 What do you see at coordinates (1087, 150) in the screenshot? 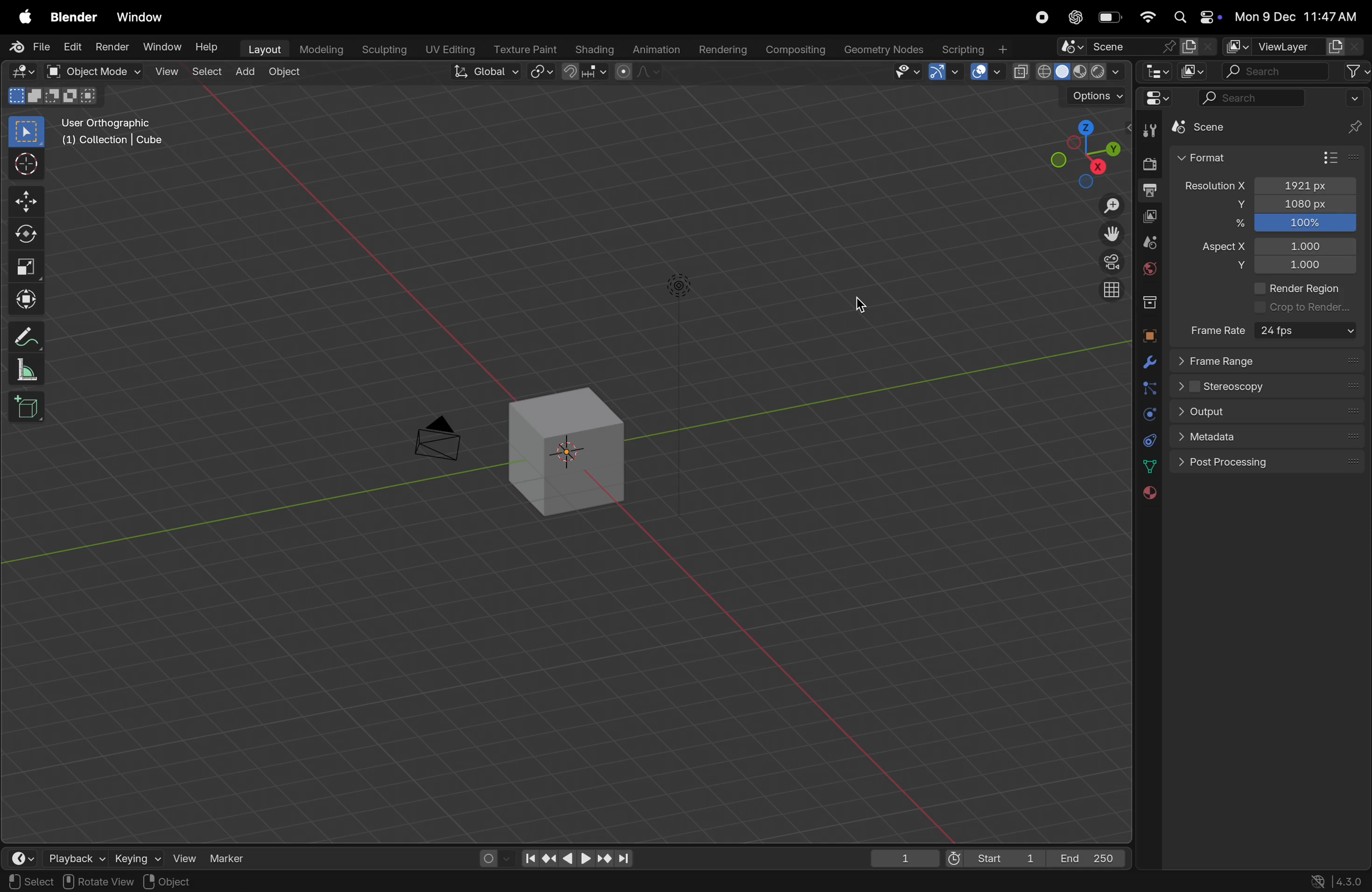
I see `view point` at bounding box center [1087, 150].